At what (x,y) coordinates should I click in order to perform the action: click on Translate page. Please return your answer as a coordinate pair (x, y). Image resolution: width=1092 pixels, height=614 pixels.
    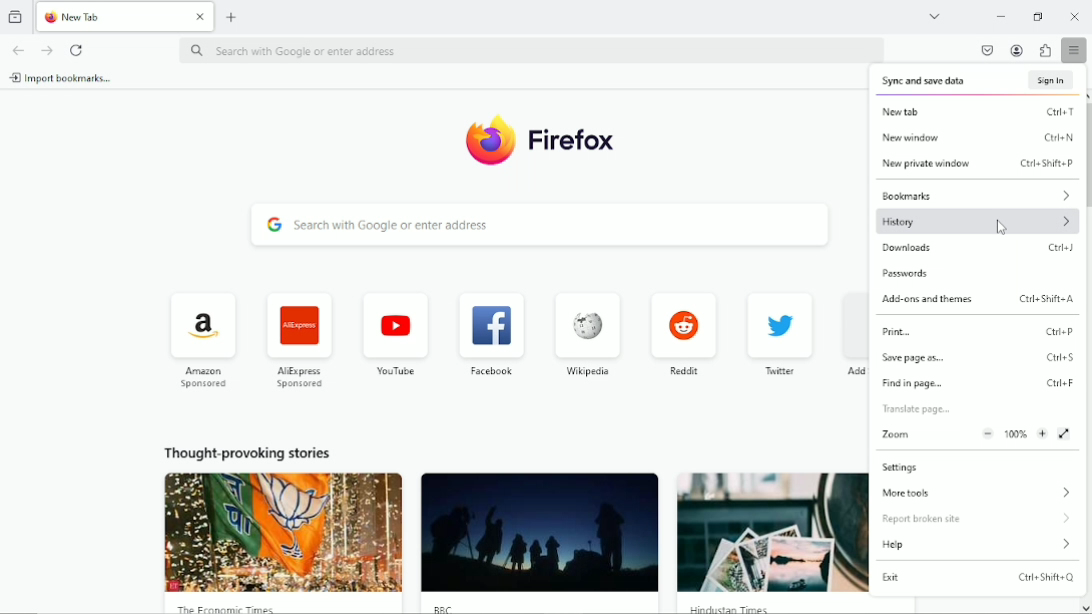
    Looking at the image, I should click on (915, 410).